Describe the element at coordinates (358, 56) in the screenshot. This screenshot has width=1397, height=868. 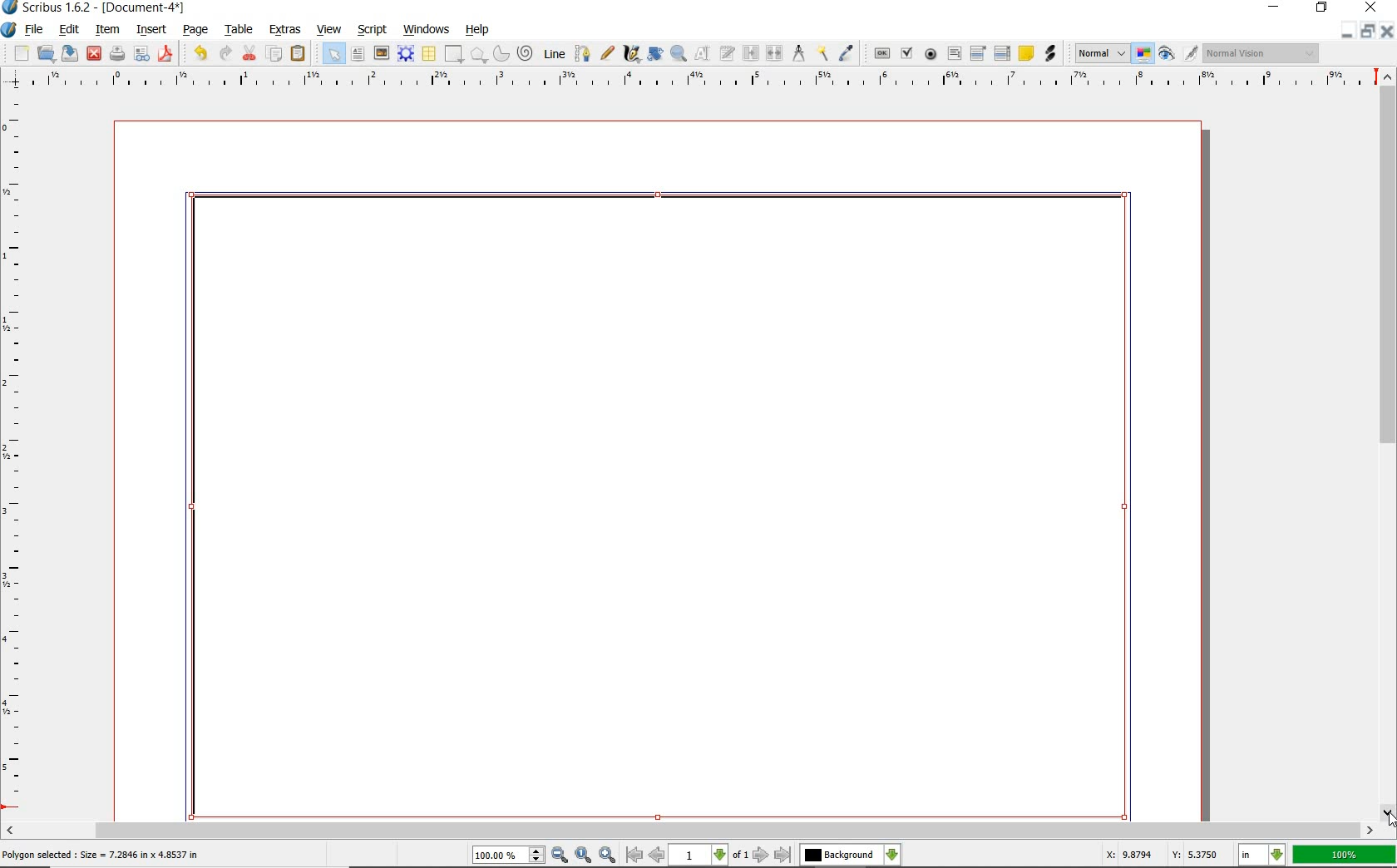
I see `text frame` at that location.